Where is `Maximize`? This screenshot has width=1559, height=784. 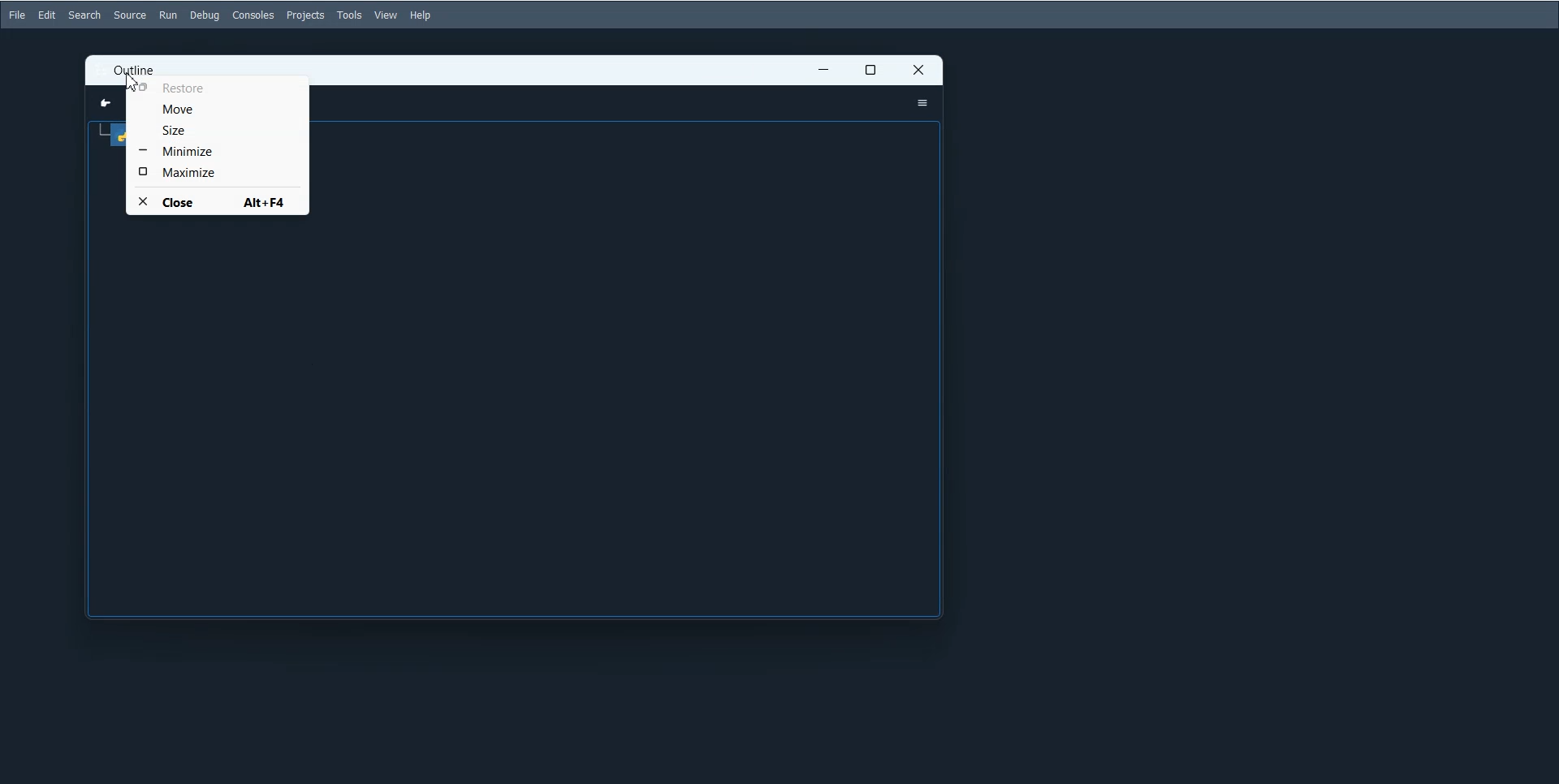 Maximize is located at coordinates (218, 171).